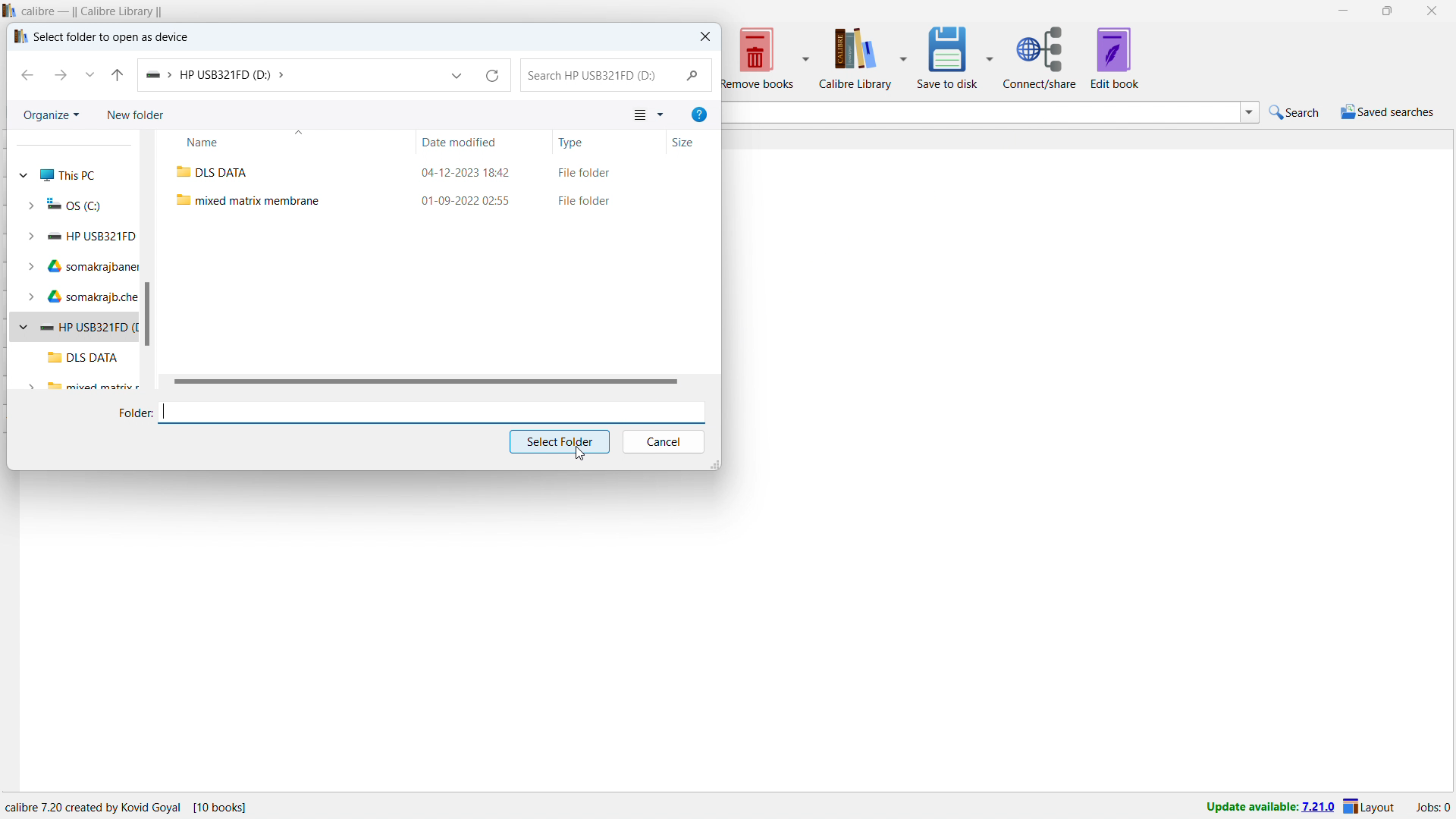 This screenshot has height=819, width=1456. Describe the element at coordinates (1116, 58) in the screenshot. I see `edit book` at that location.